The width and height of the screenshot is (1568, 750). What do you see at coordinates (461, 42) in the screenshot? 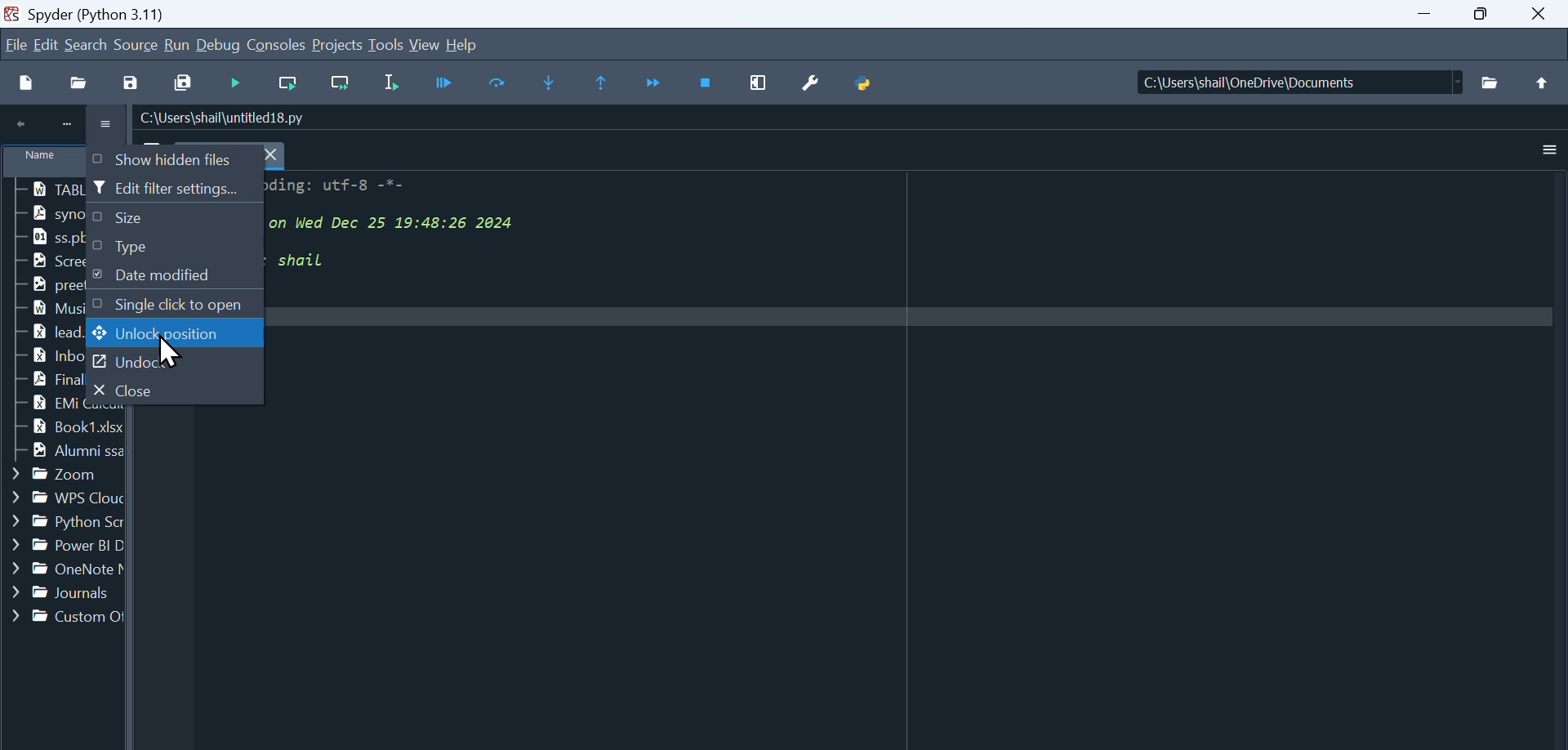
I see `Help` at bounding box center [461, 42].